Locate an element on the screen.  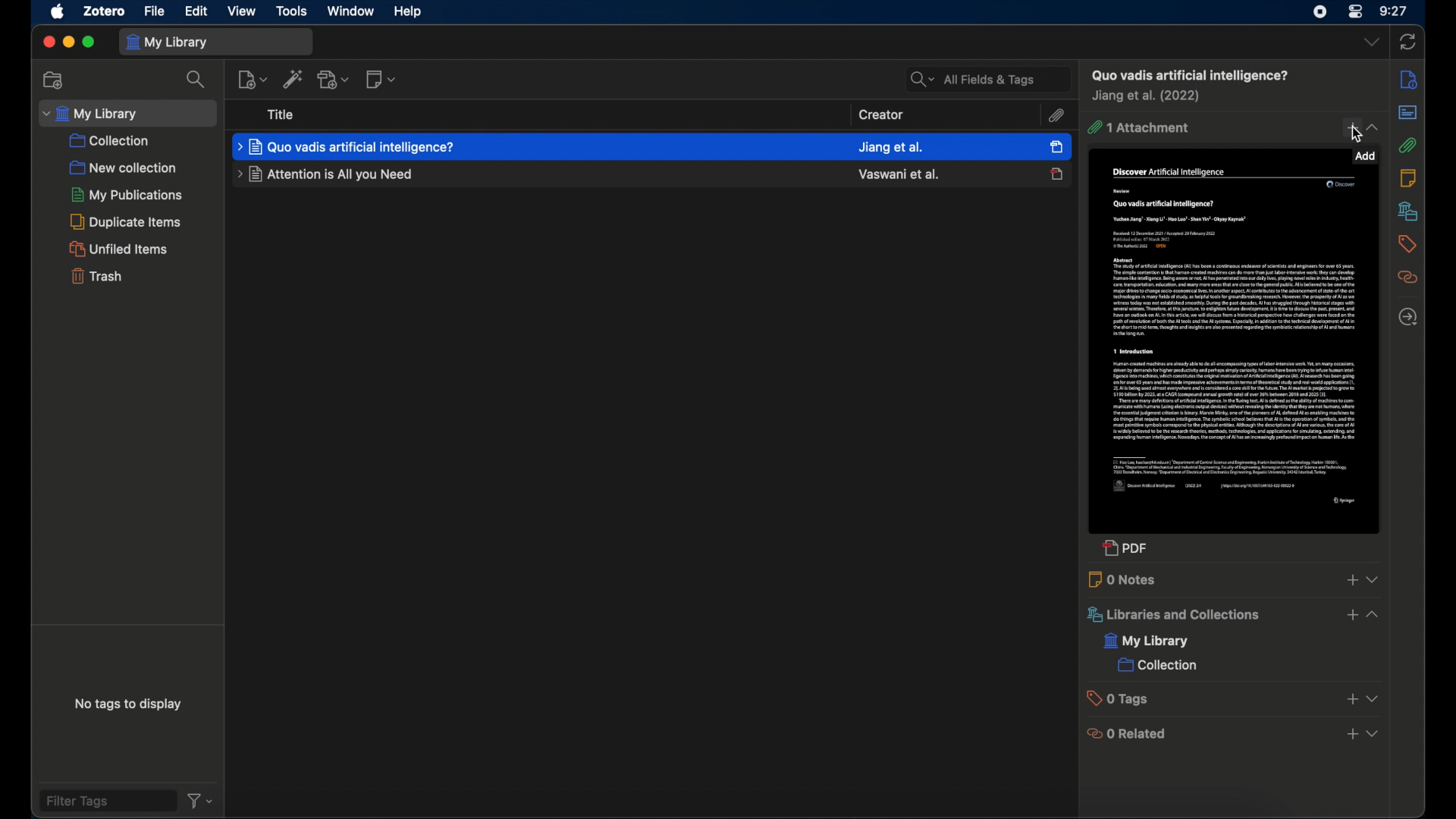
abstract is located at coordinates (1407, 112).